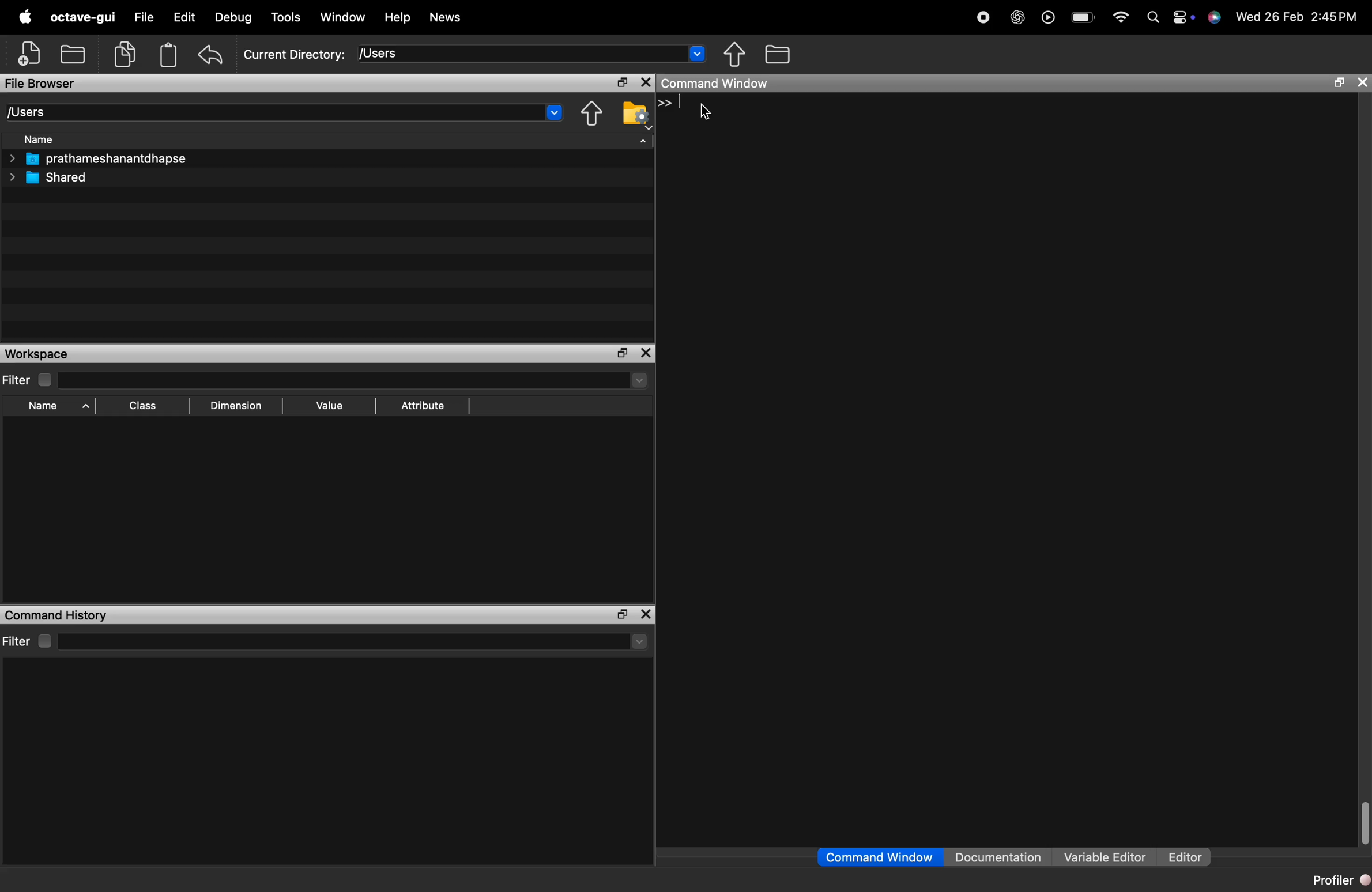 The image size is (1372, 892). I want to click on Dimension, so click(239, 406).